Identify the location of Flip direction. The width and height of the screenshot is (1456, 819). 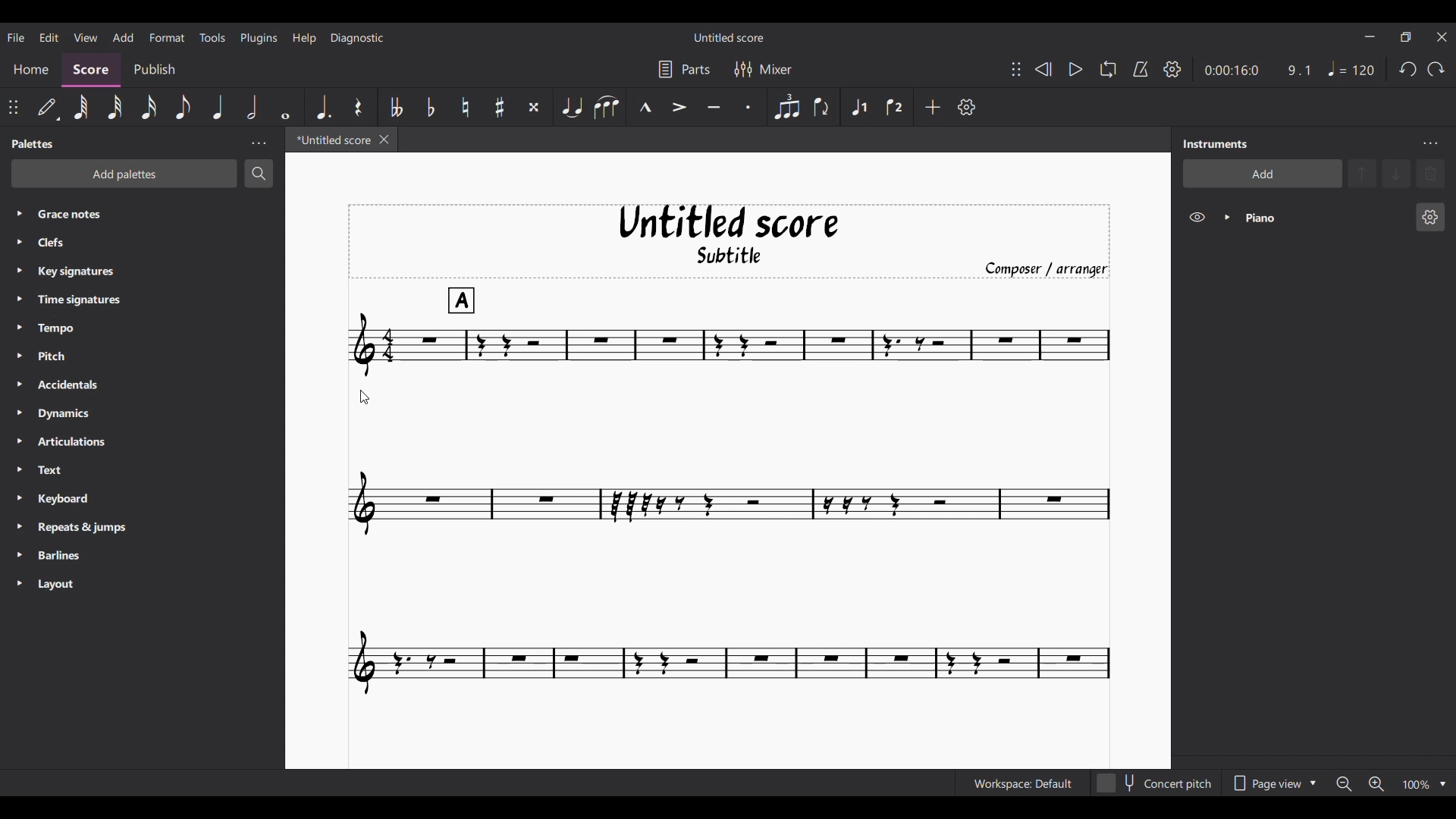
(821, 107).